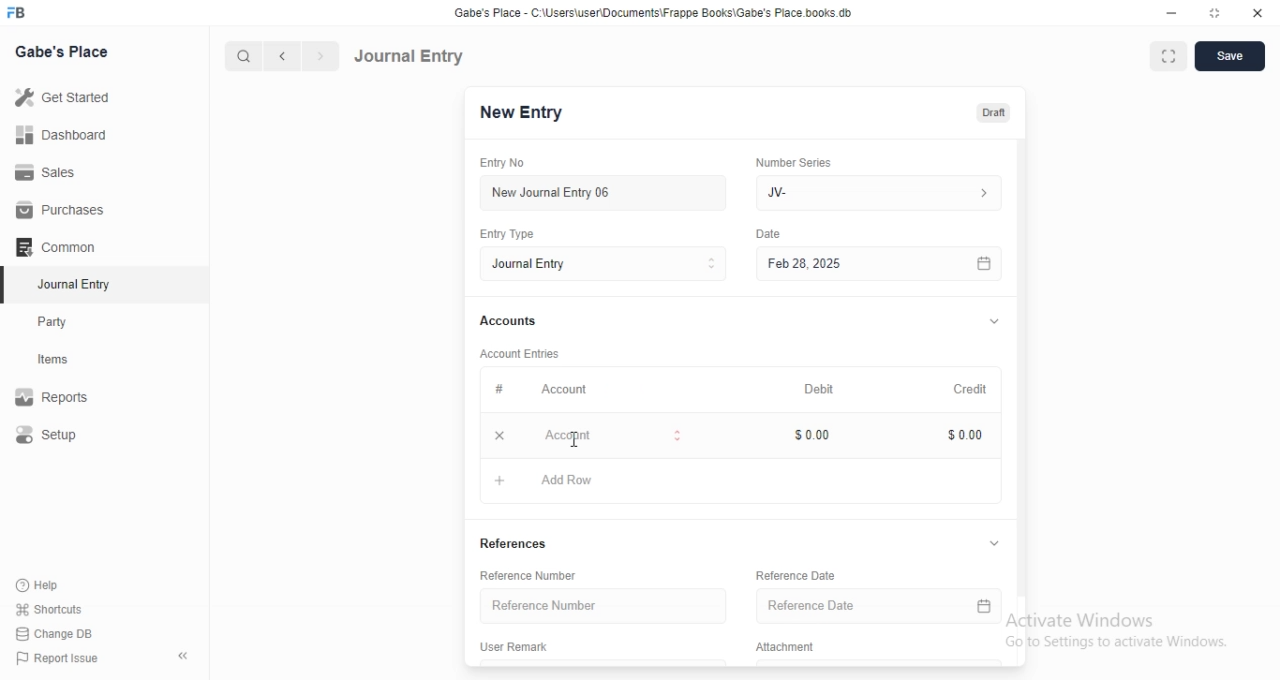  What do you see at coordinates (518, 322) in the screenshot?
I see `Accounts.` at bounding box center [518, 322].